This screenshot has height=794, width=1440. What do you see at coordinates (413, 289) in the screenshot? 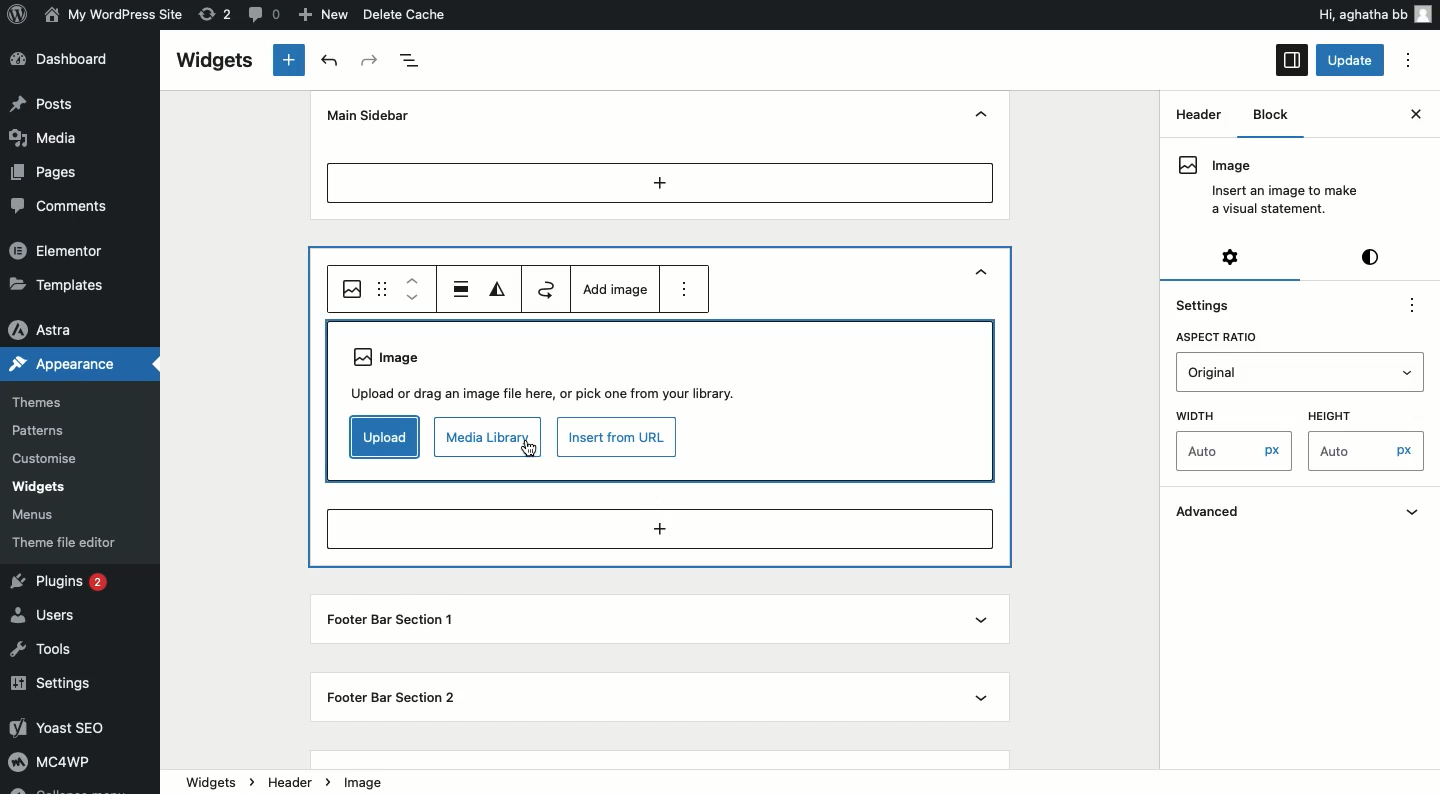
I see `Move up down` at bounding box center [413, 289].